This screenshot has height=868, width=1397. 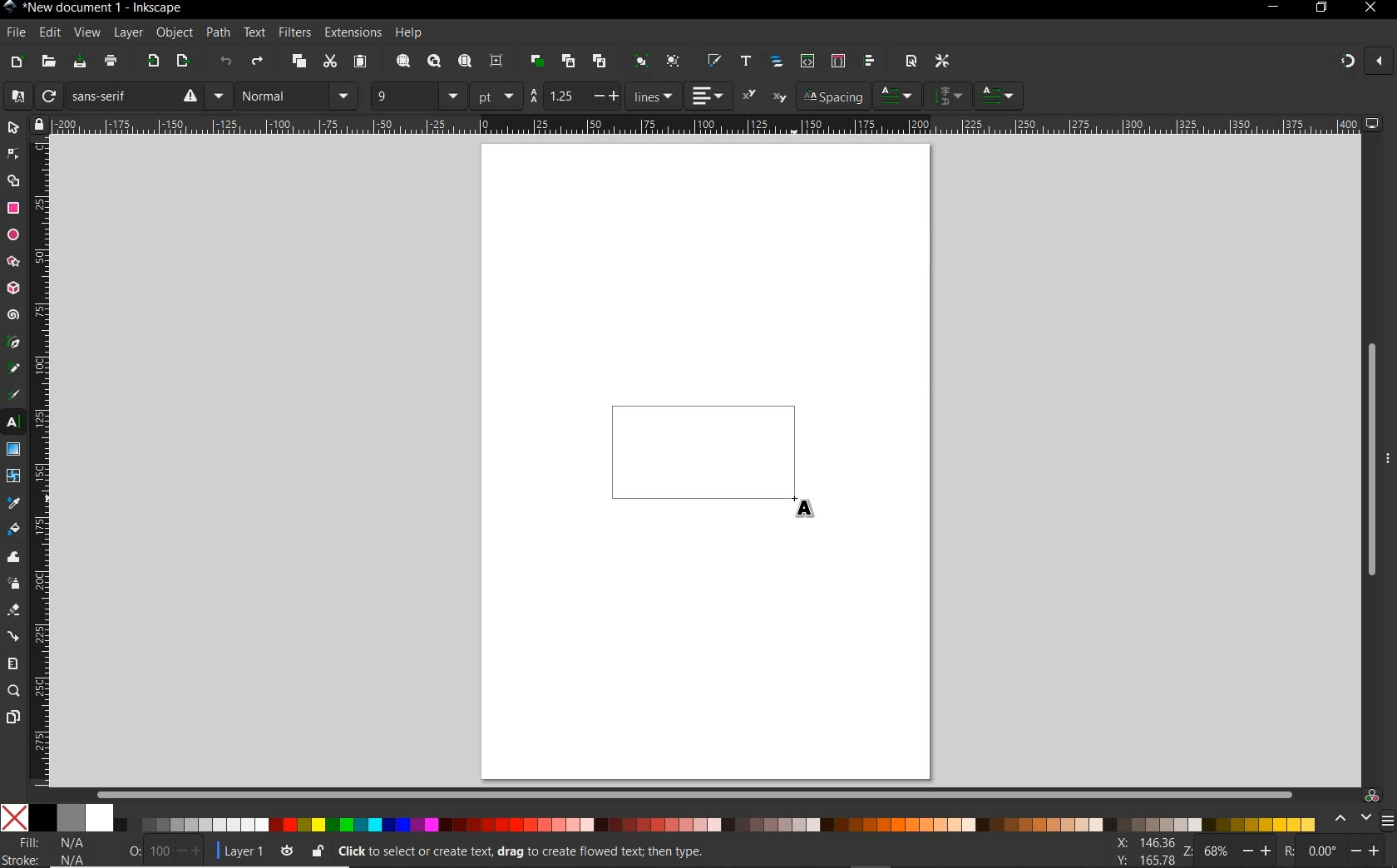 What do you see at coordinates (134, 96) in the screenshot?
I see `sans-serif` at bounding box center [134, 96].